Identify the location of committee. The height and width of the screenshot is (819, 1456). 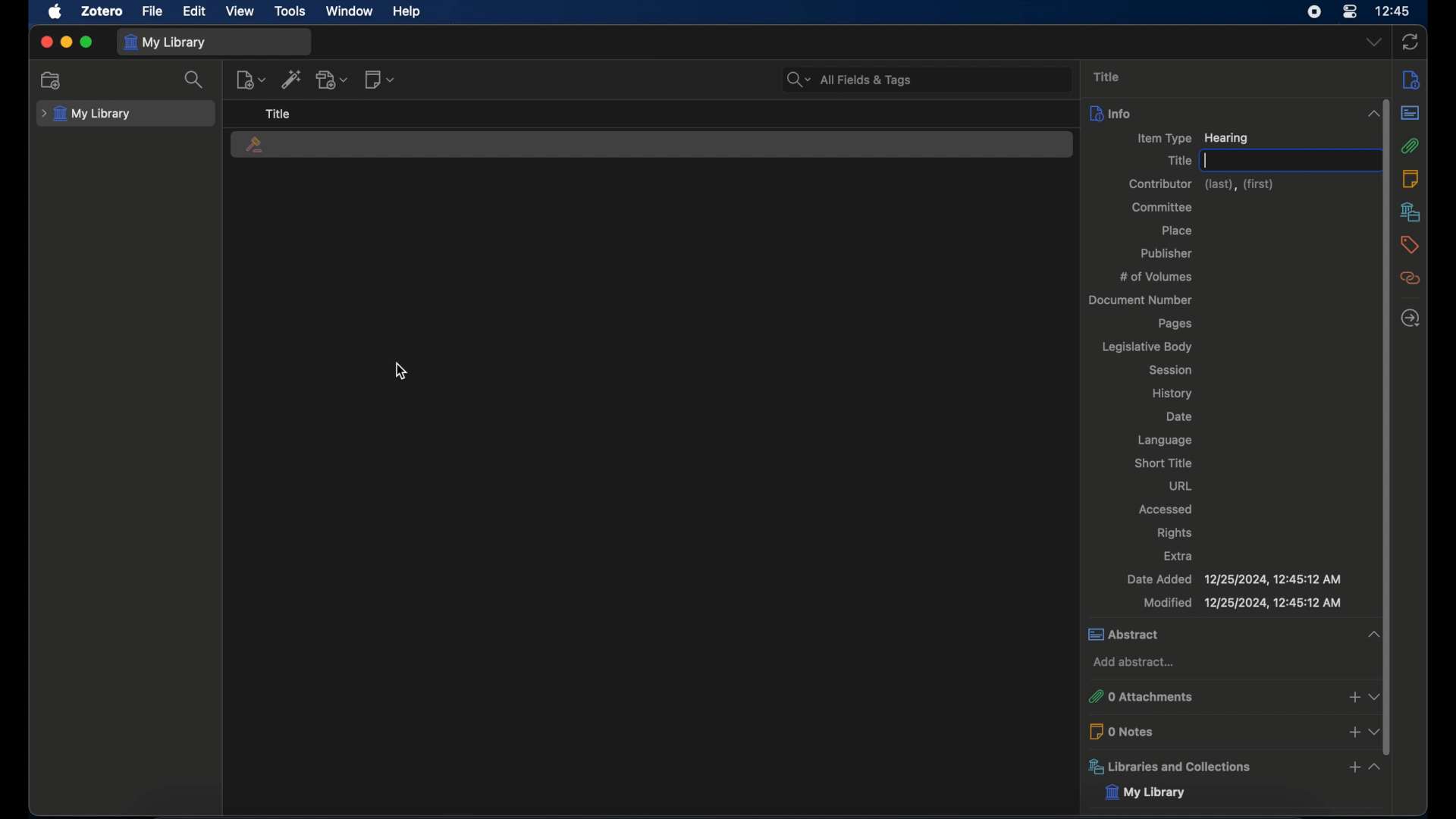
(1162, 207).